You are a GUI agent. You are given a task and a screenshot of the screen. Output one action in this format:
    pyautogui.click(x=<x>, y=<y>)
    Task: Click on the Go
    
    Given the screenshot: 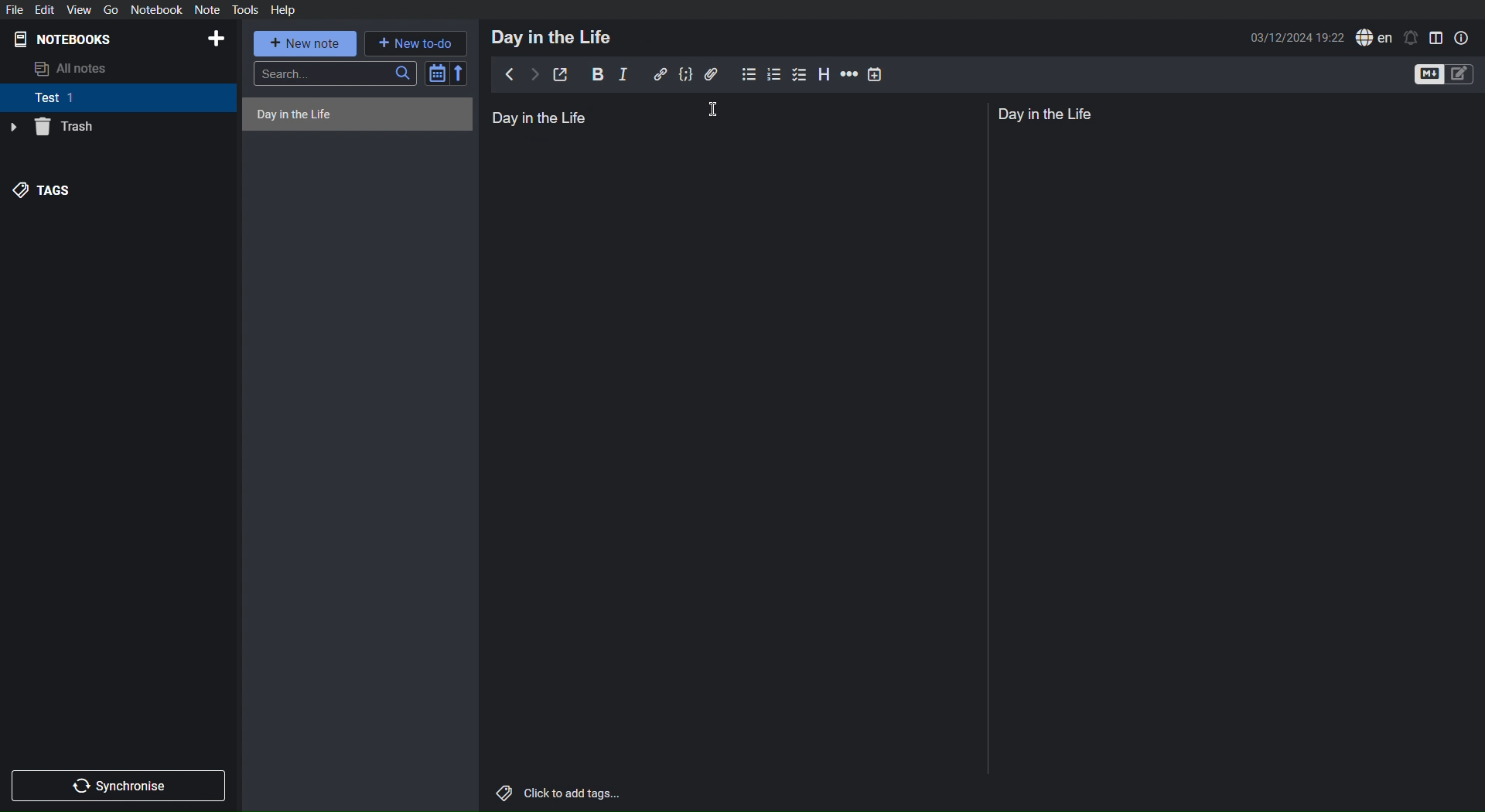 What is the action you would take?
    pyautogui.click(x=110, y=10)
    